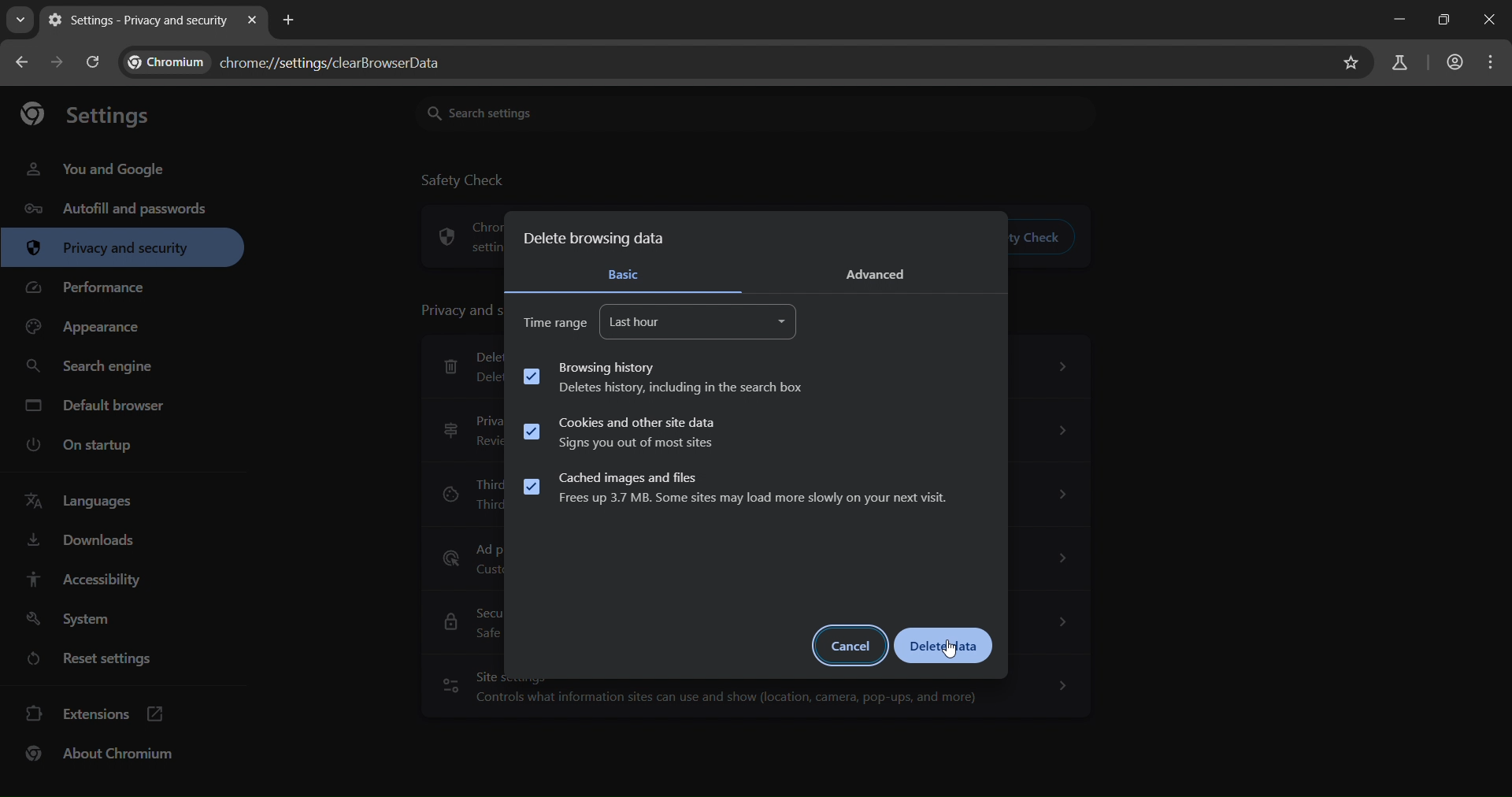  Describe the element at coordinates (665, 377) in the screenshot. I see `Browsing History Deletes history, including in the search box` at that location.